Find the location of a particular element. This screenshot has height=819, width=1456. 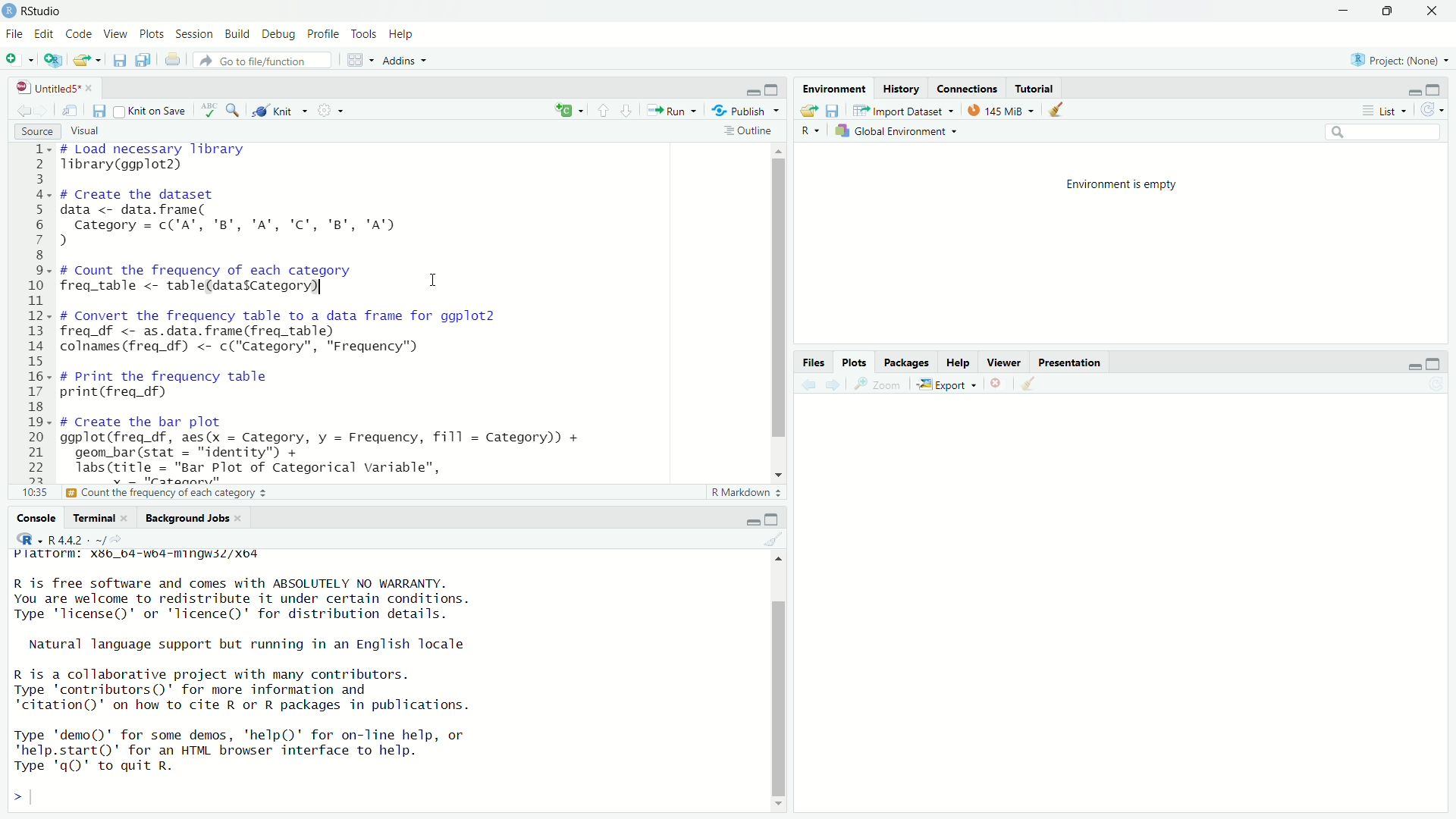

outline is located at coordinates (748, 130).